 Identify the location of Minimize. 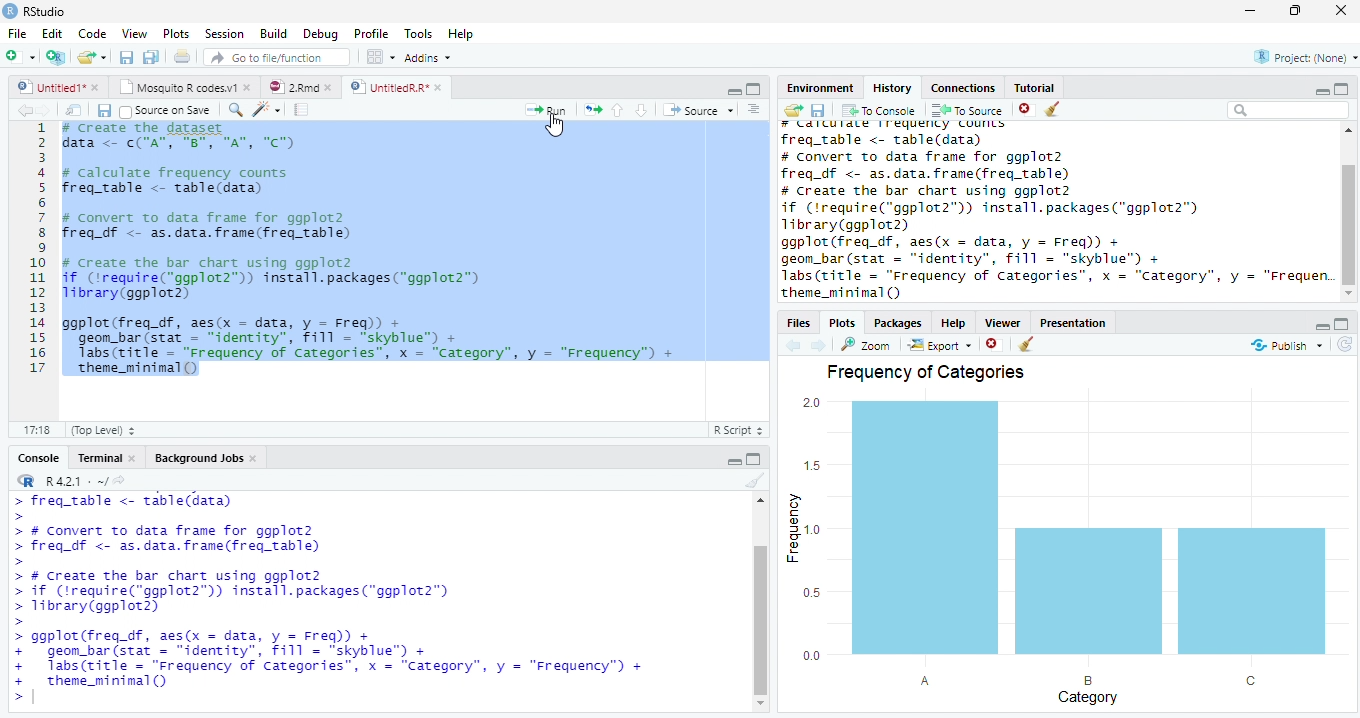
(731, 90).